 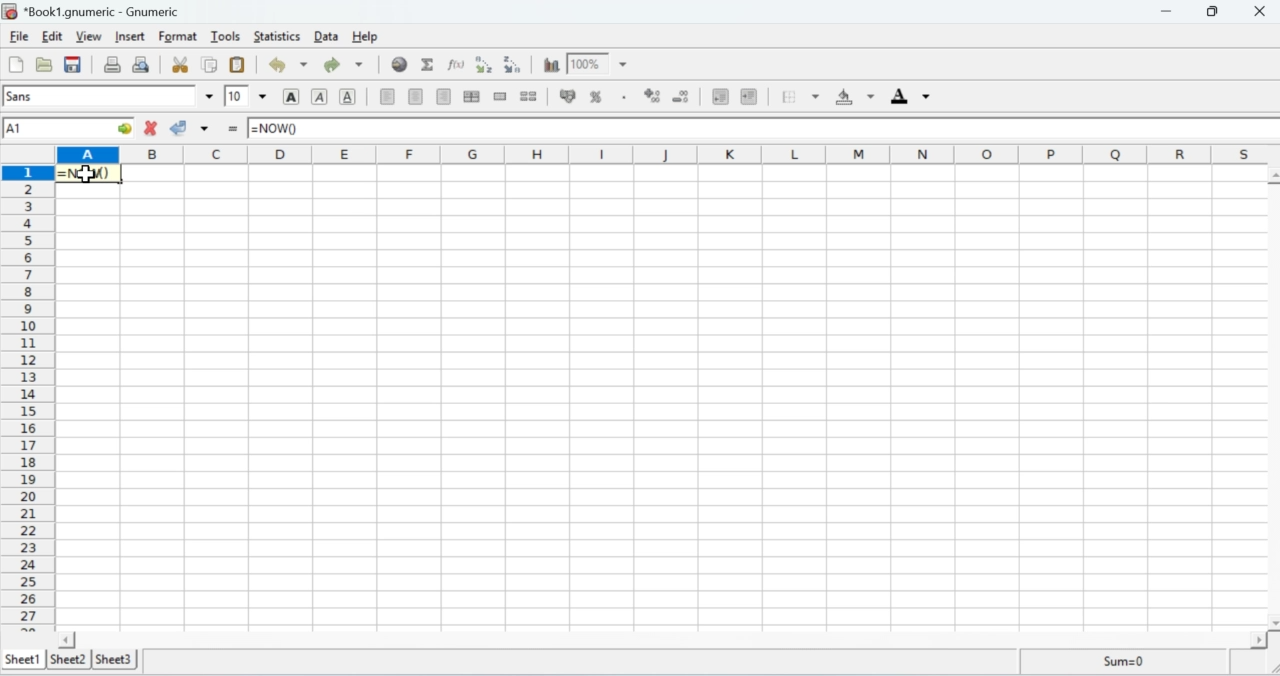 I want to click on Formula bar, so click(x=798, y=129).